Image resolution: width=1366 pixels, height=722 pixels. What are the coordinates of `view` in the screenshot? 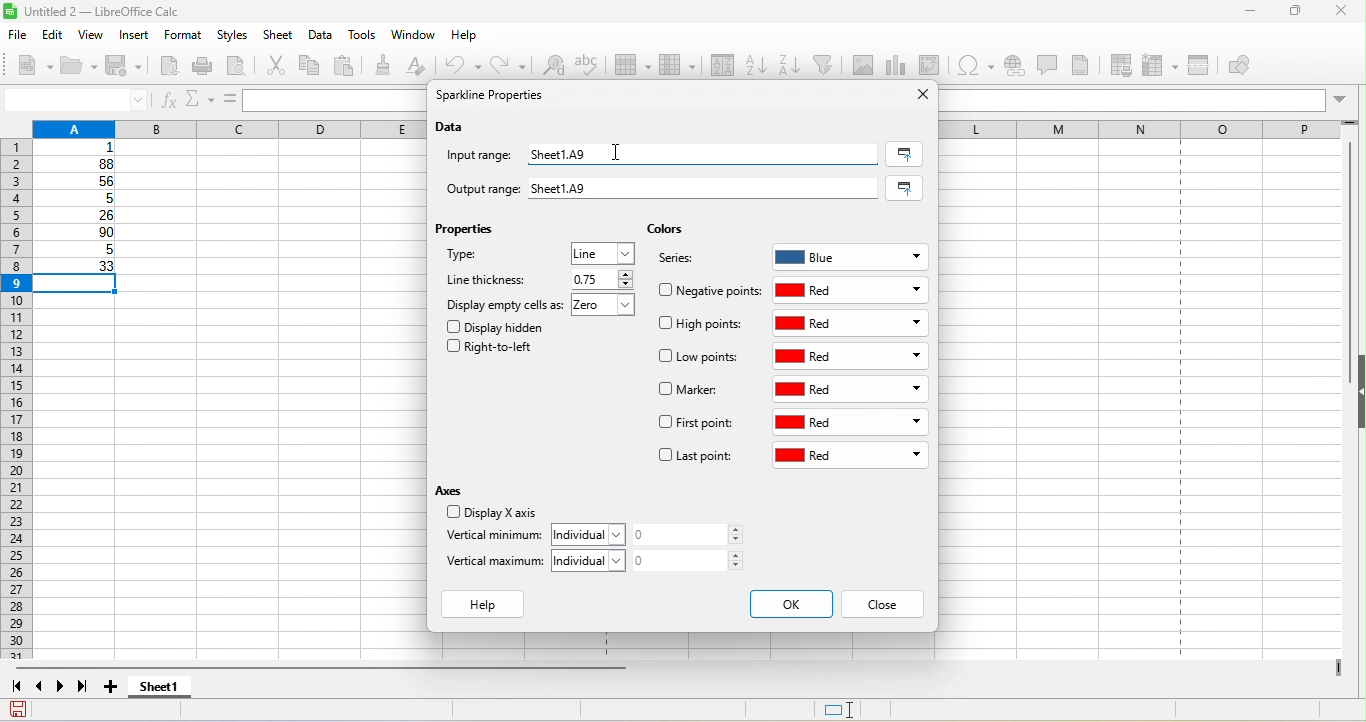 It's located at (96, 35).